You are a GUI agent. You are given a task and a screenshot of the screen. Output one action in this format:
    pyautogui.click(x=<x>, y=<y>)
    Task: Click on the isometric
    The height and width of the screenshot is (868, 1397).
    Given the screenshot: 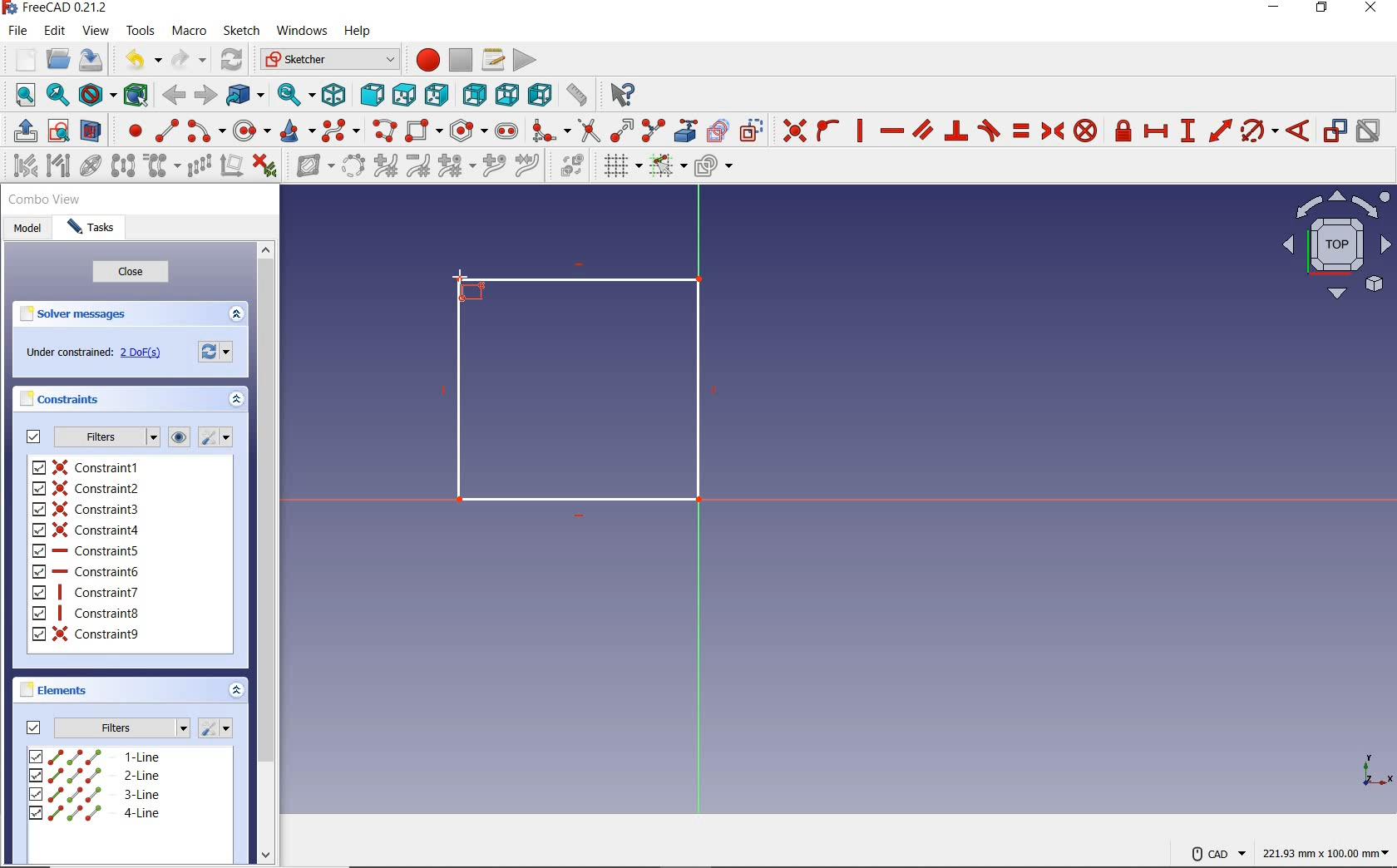 What is the action you would take?
    pyautogui.click(x=337, y=95)
    